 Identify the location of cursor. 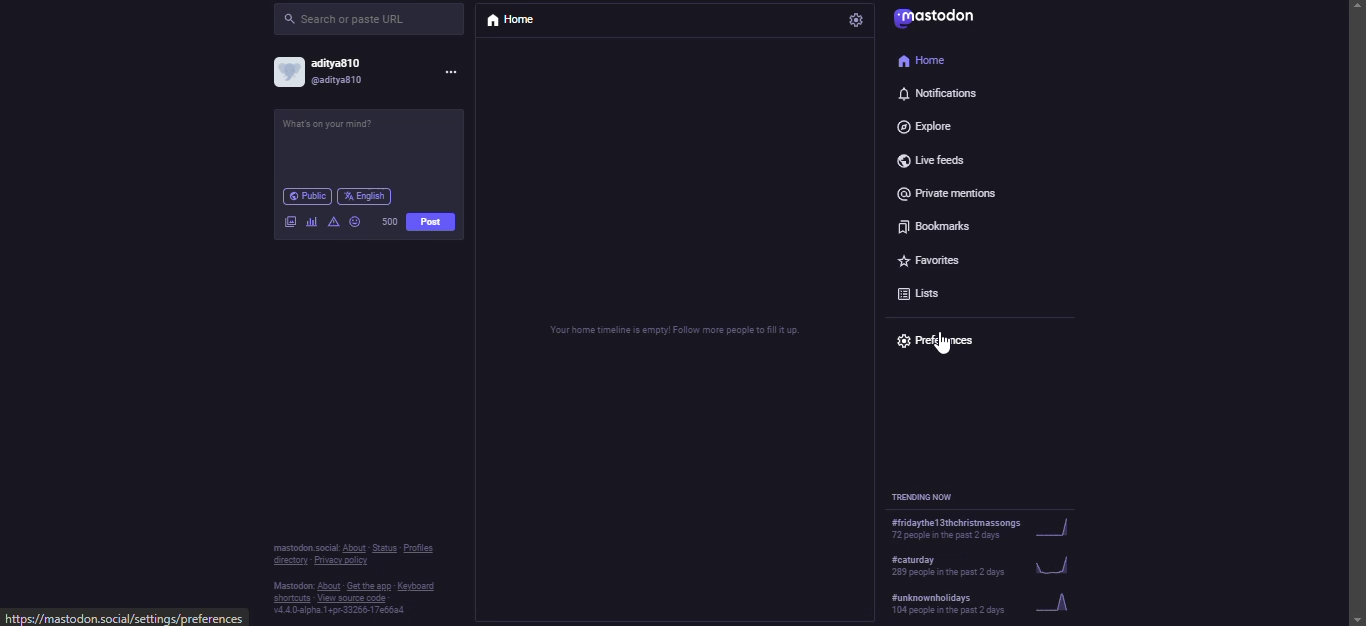
(939, 347).